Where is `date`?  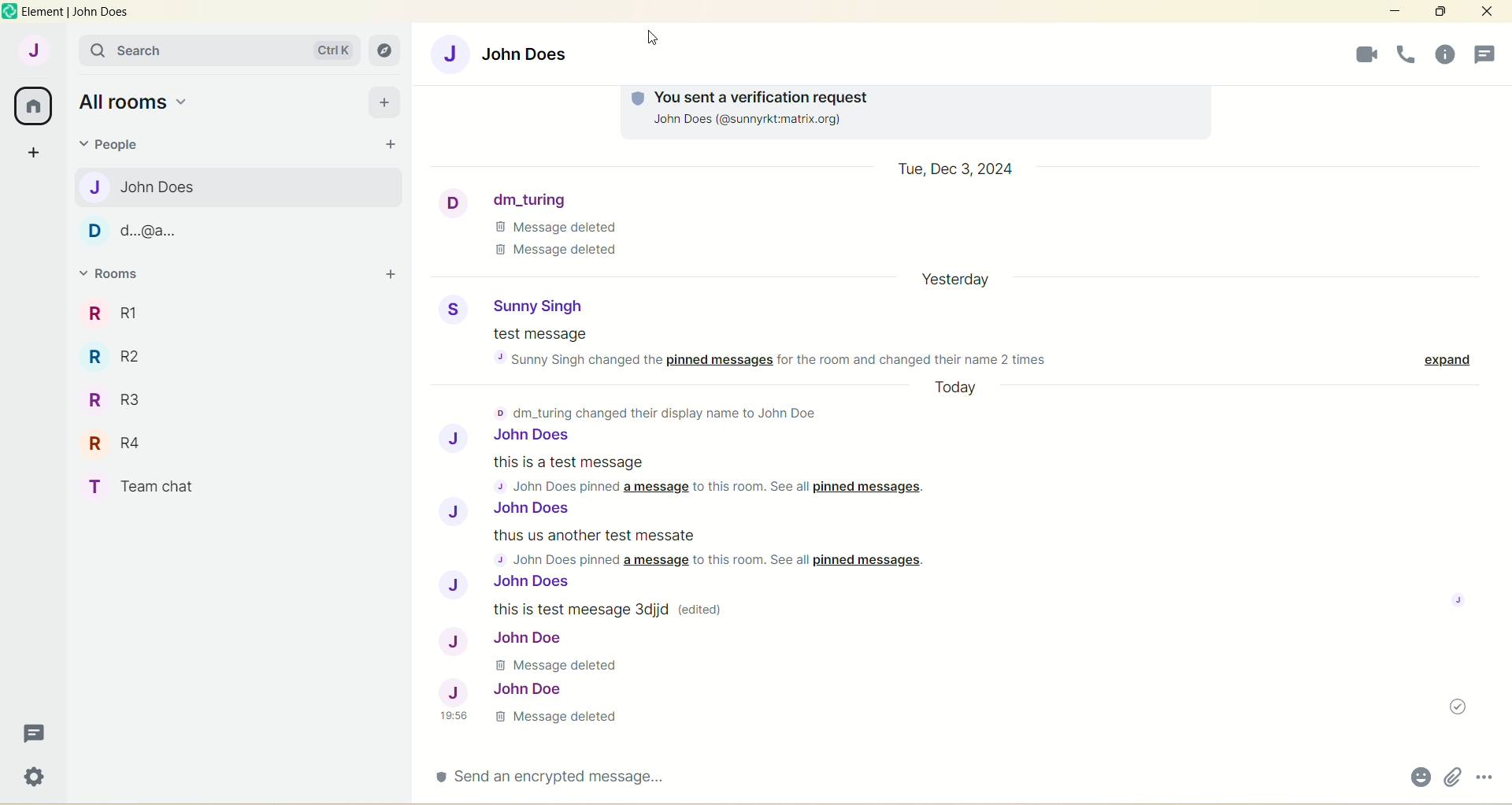
date is located at coordinates (962, 283).